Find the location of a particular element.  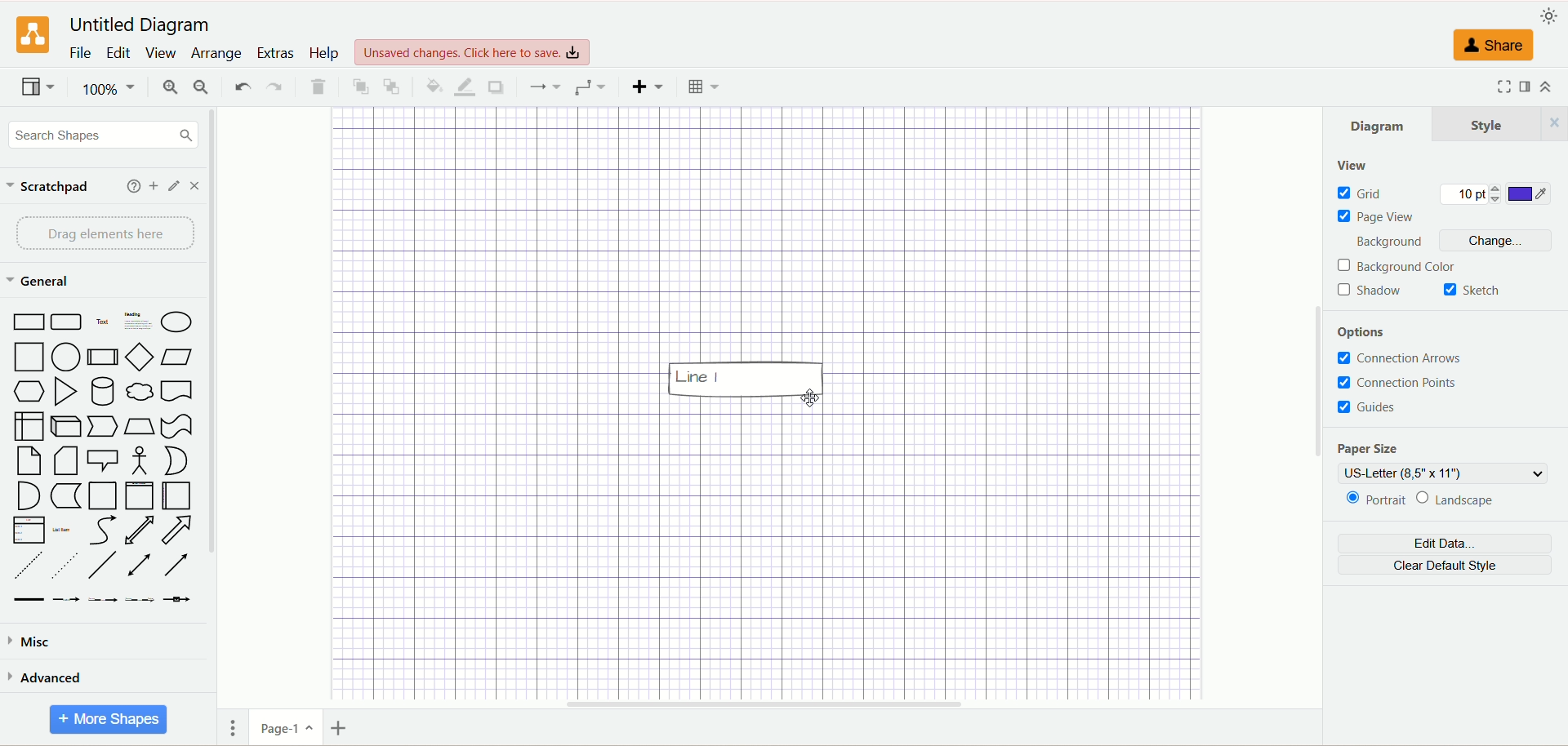

edit is located at coordinates (117, 53).